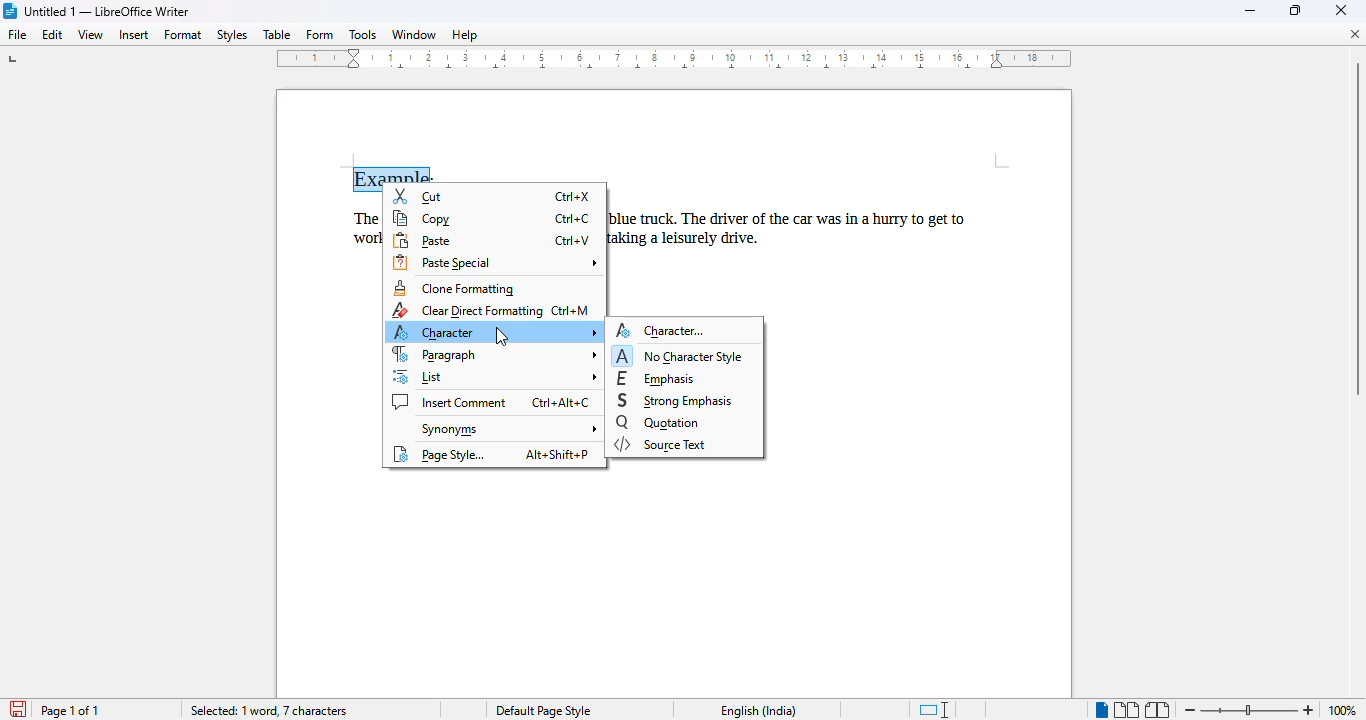 Image resolution: width=1366 pixels, height=720 pixels. I want to click on multi-page view, so click(1126, 710).